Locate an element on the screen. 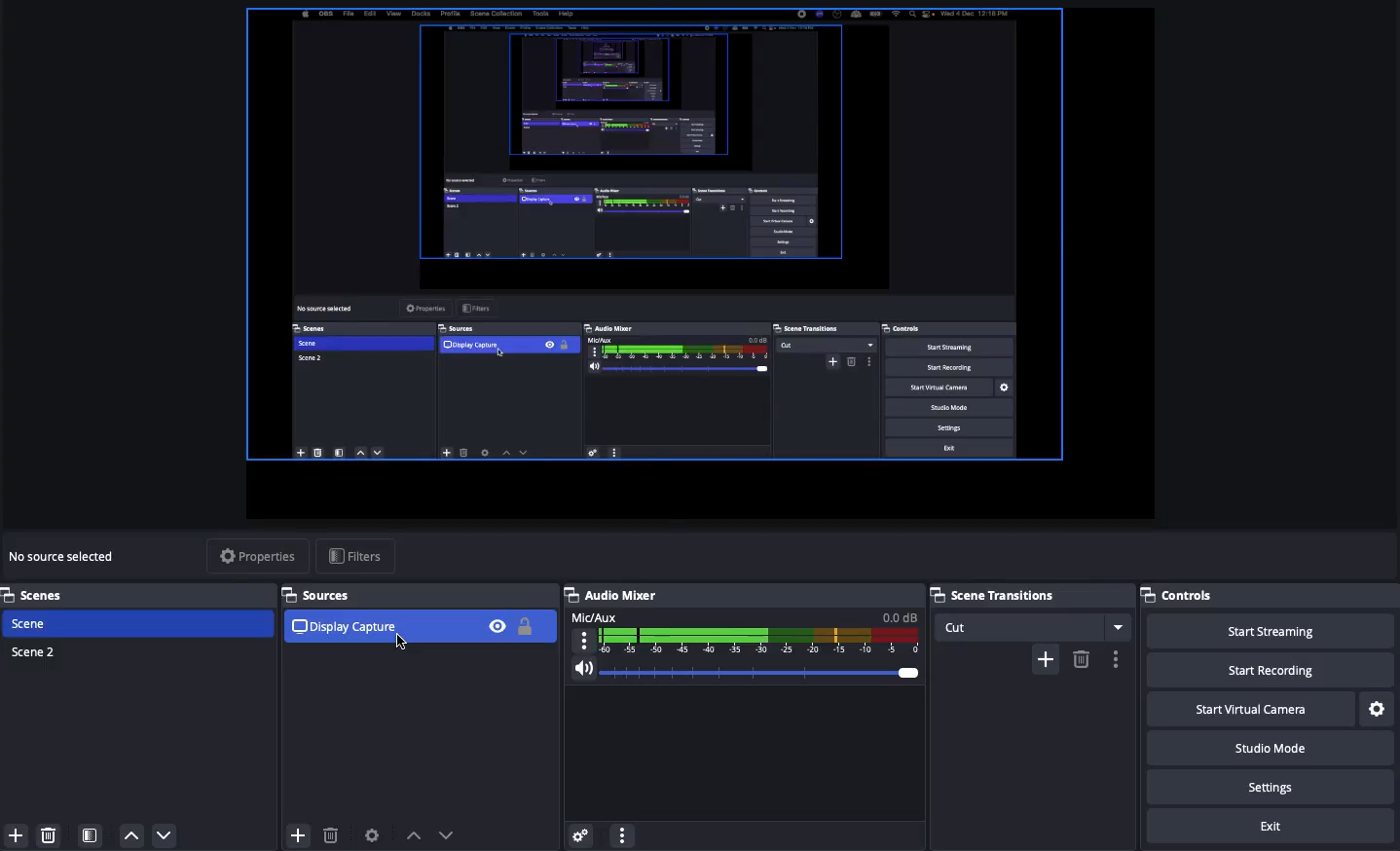 This screenshot has width=1400, height=851. add is located at coordinates (1045, 659).